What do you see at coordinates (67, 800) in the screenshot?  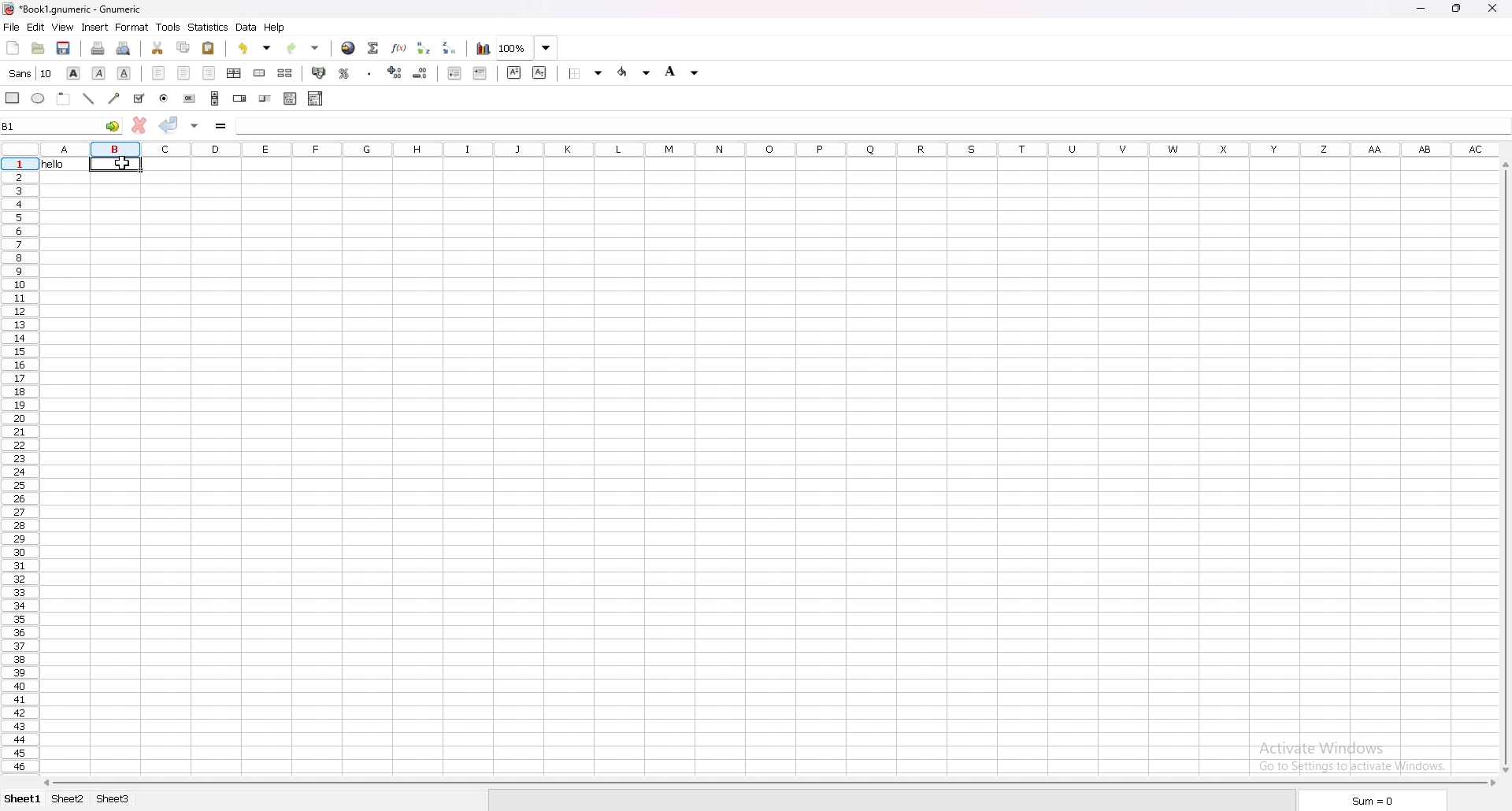 I see `tab` at bounding box center [67, 800].